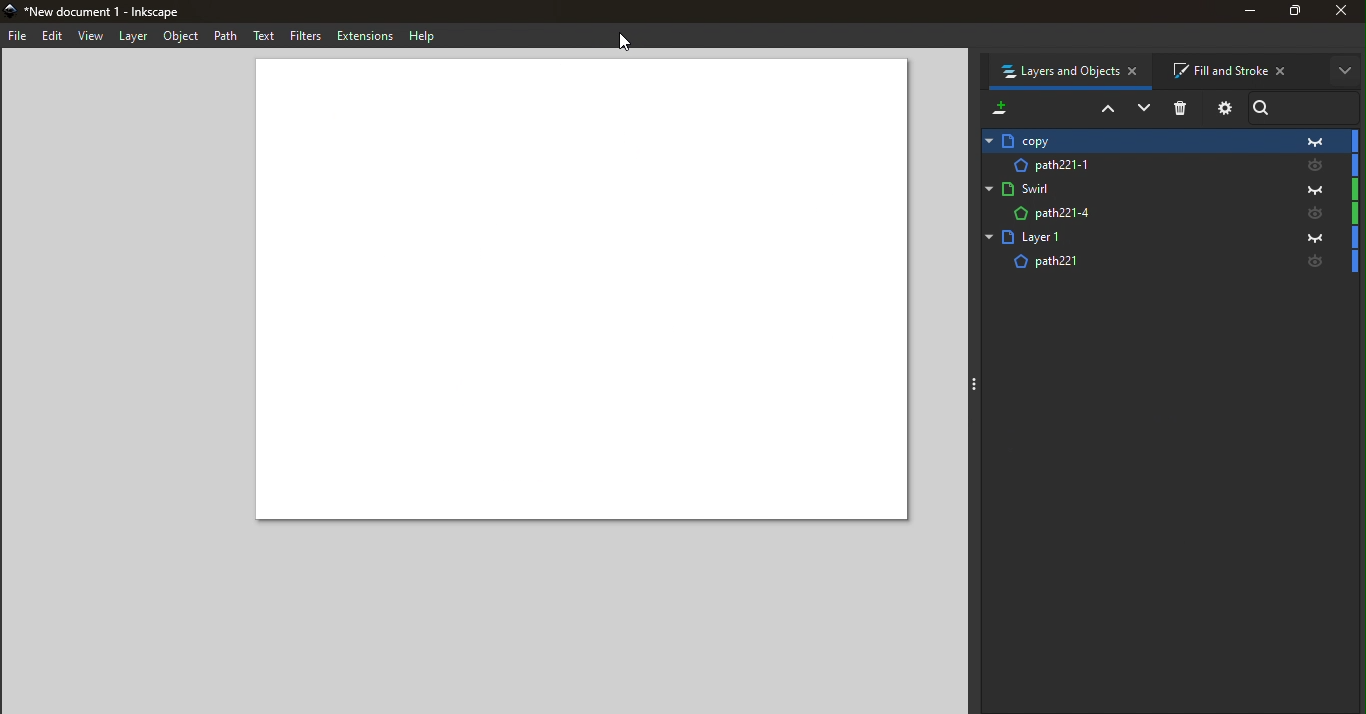 The image size is (1366, 714). I want to click on Search bar, so click(1306, 106).